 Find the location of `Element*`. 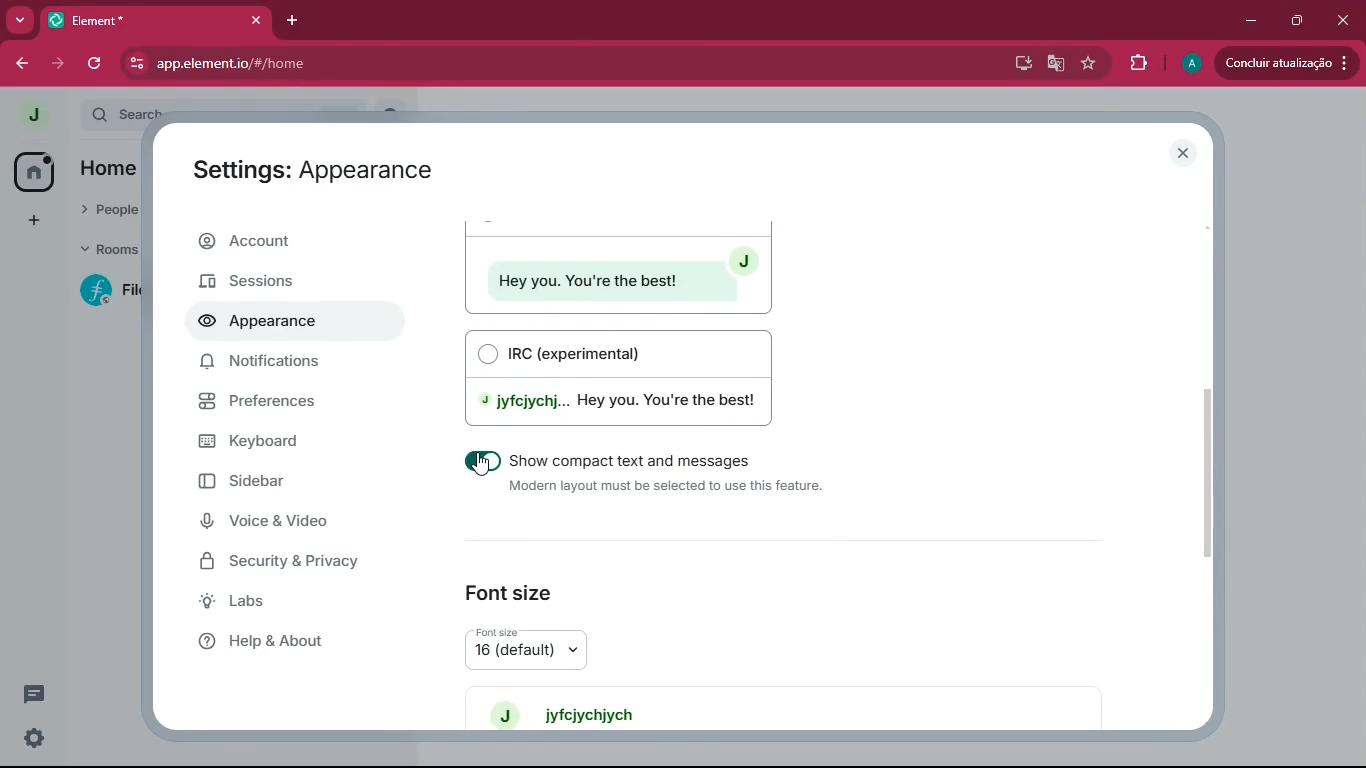

Element* is located at coordinates (139, 21).